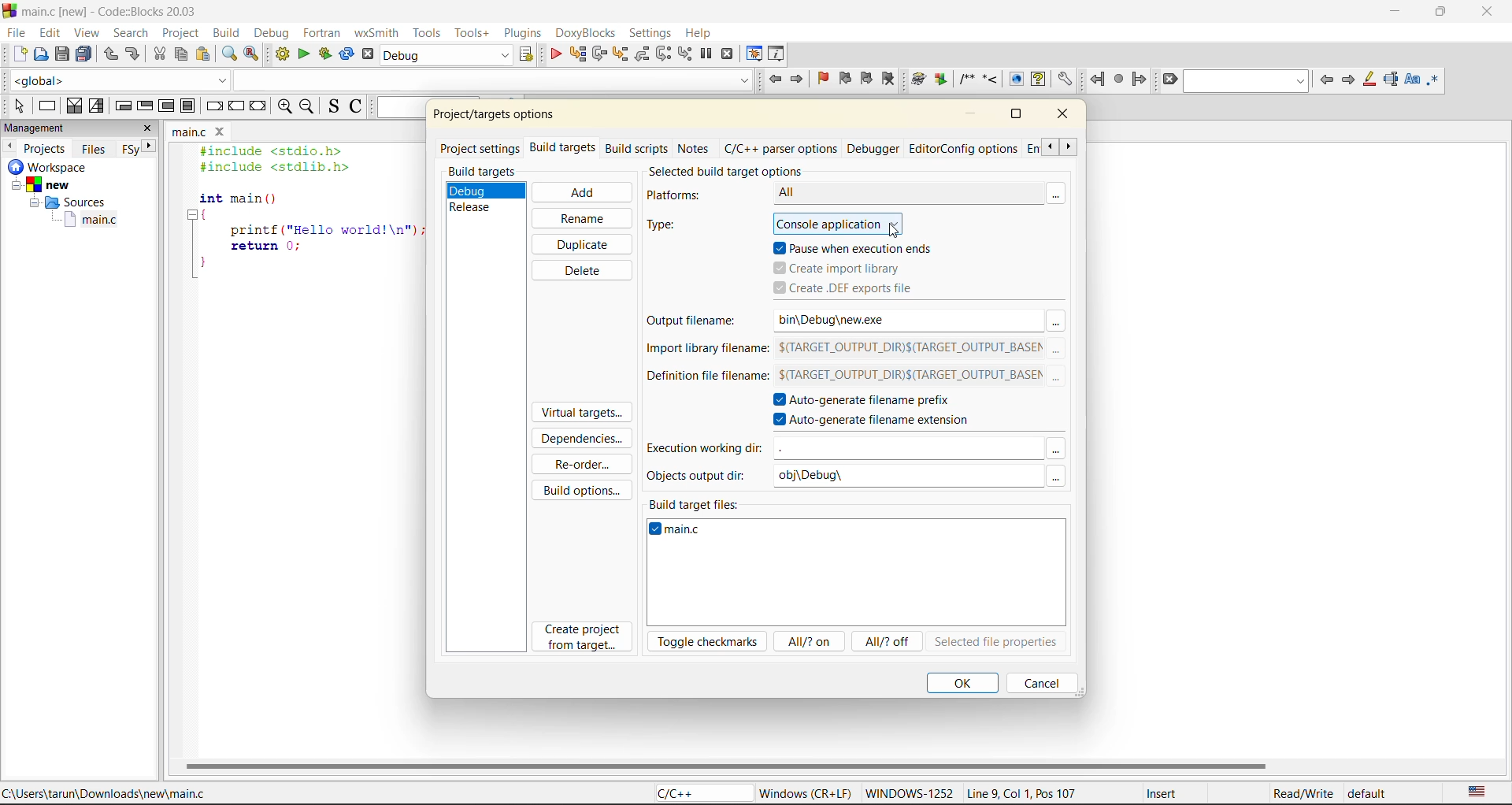  I want to click on abort, so click(371, 54).